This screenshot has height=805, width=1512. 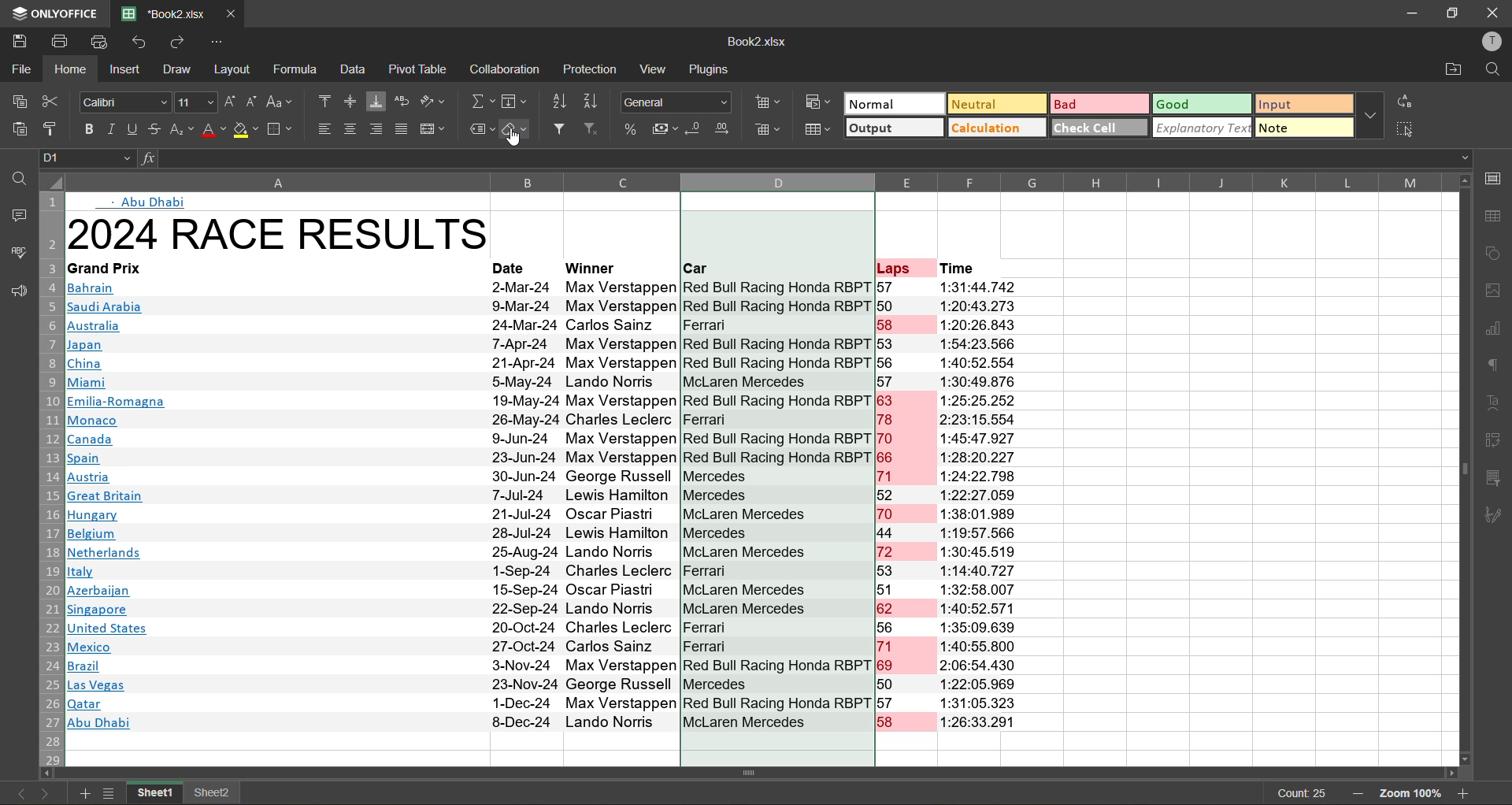 What do you see at coordinates (543, 325) in the screenshot?
I see `Australia 24-Mar-24 Carlos Sainz  |Ferrari 158 1:20:26.843` at bounding box center [543, 325].